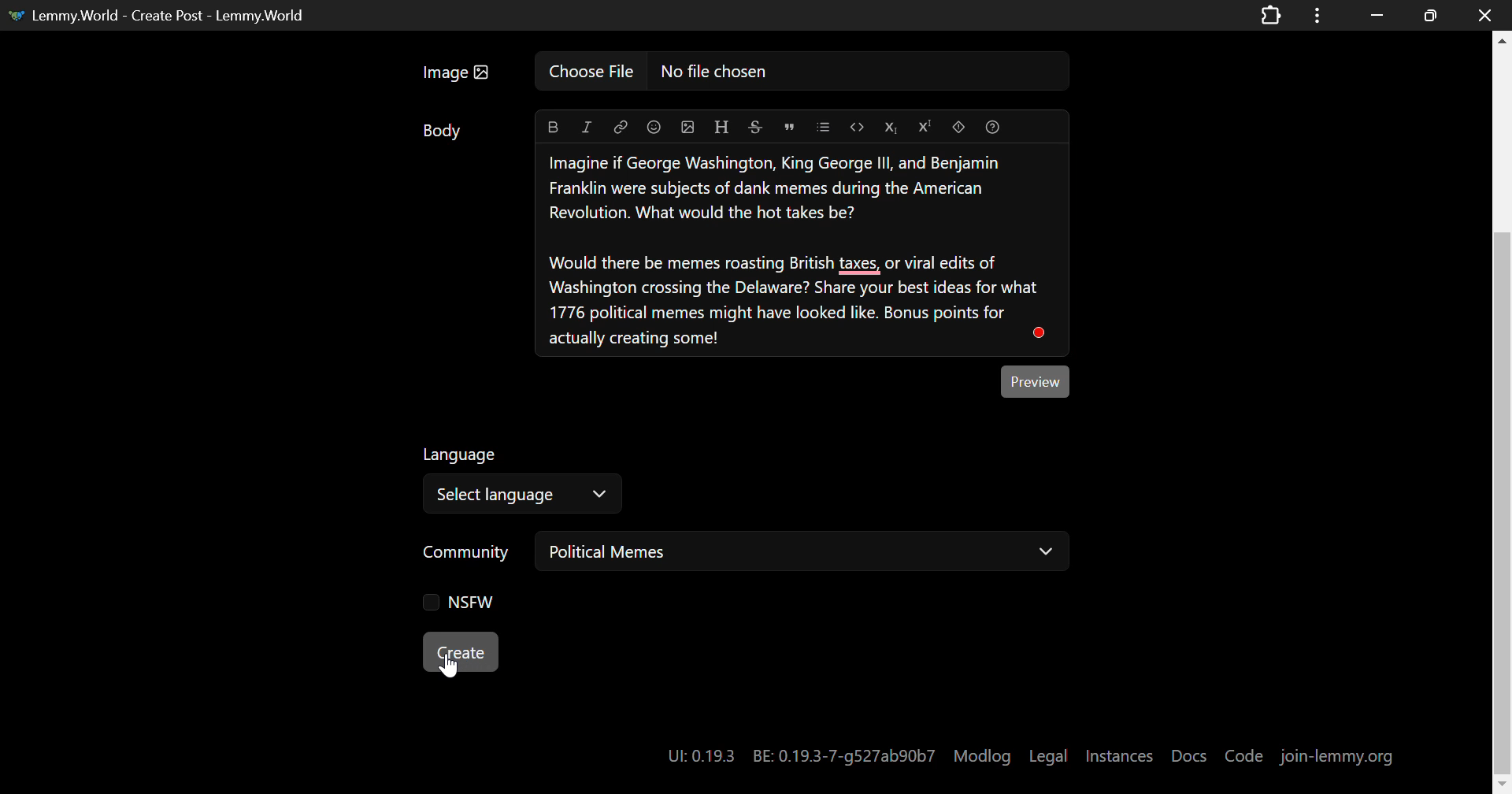 This screenshot has height=794, width=1512. What do you see at coordinates (795, 758) in the screenshot?
I see `UI:: 0.19.3 BE: 0.19.3-7-g527ab90b7` at bounding box center [795, 758].